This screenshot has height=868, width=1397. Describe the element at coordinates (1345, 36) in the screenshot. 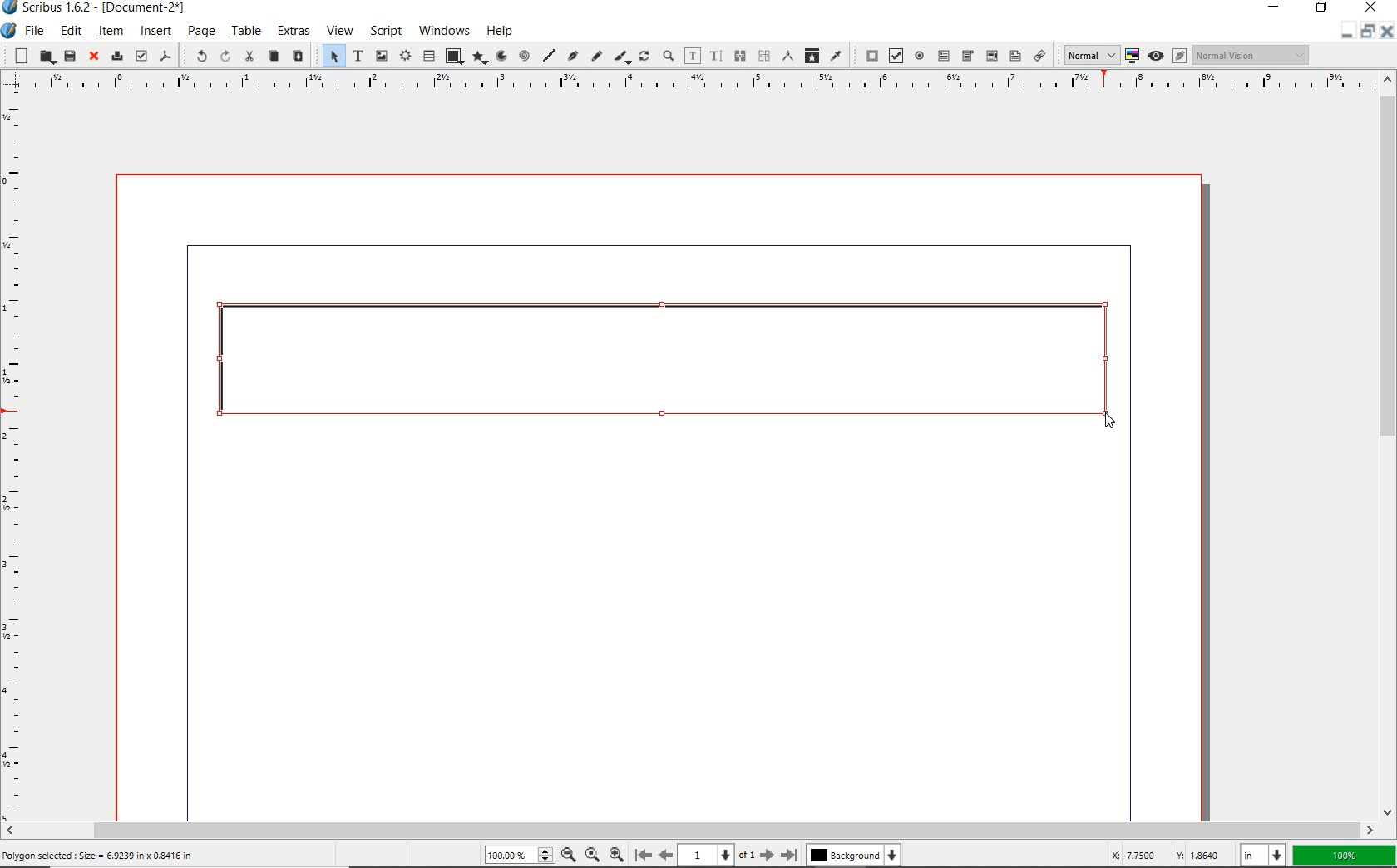

I see `minimize` at that location.